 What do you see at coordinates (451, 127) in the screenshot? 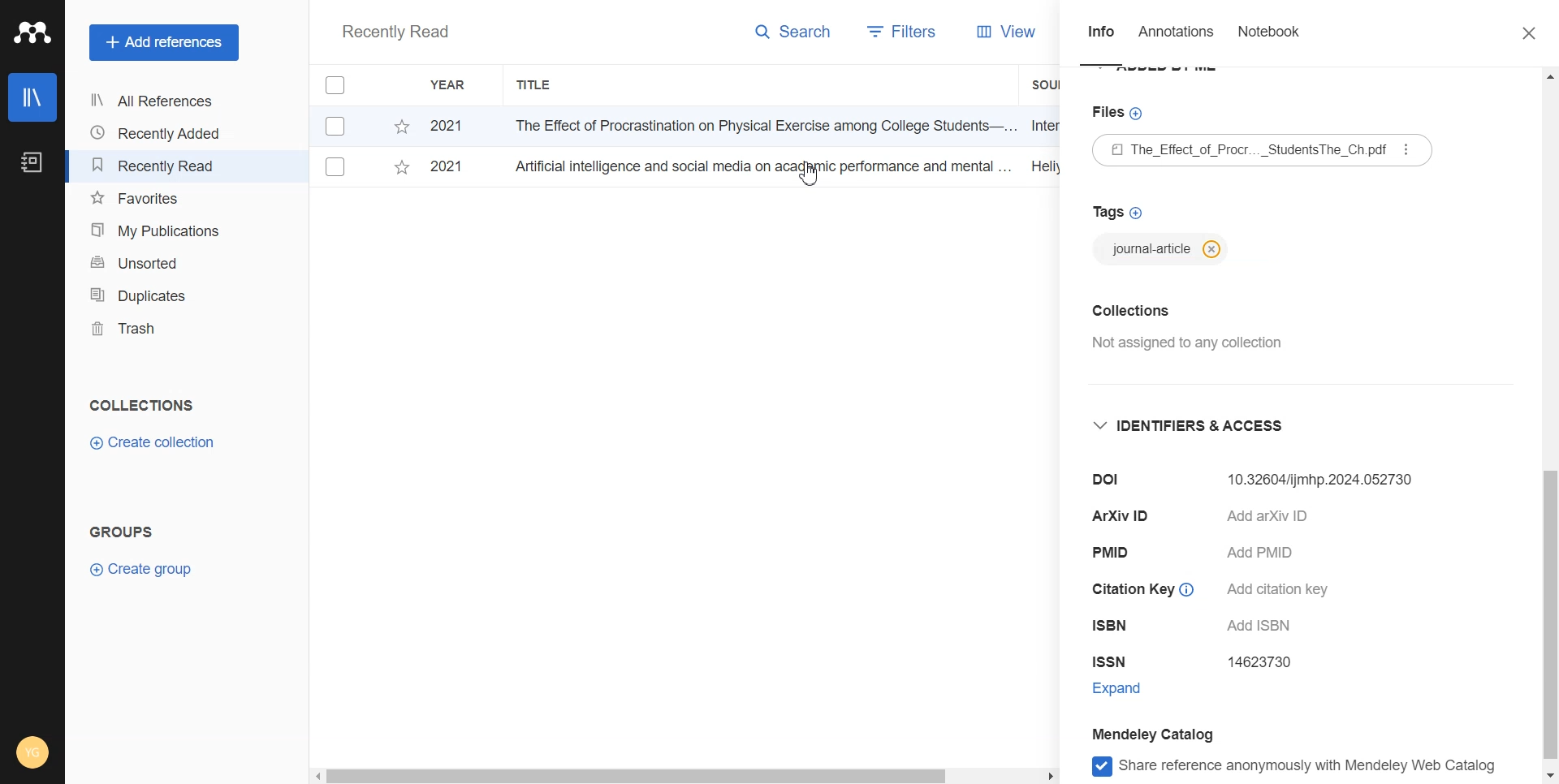
I see `2021` at bounding box center [451, 127].